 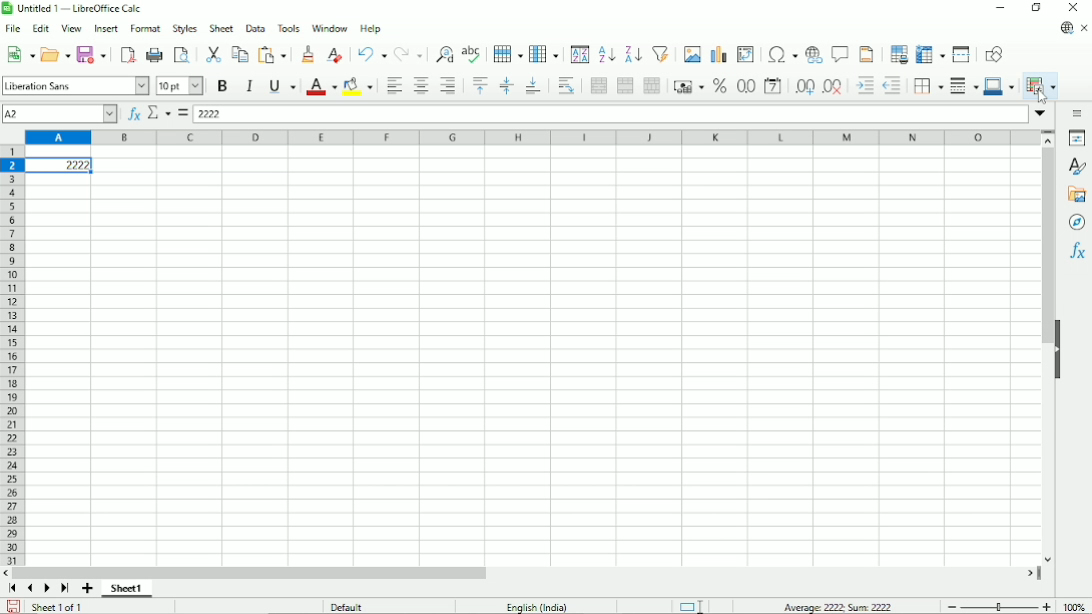 I want to click on Help, so click(x=371, y=29).